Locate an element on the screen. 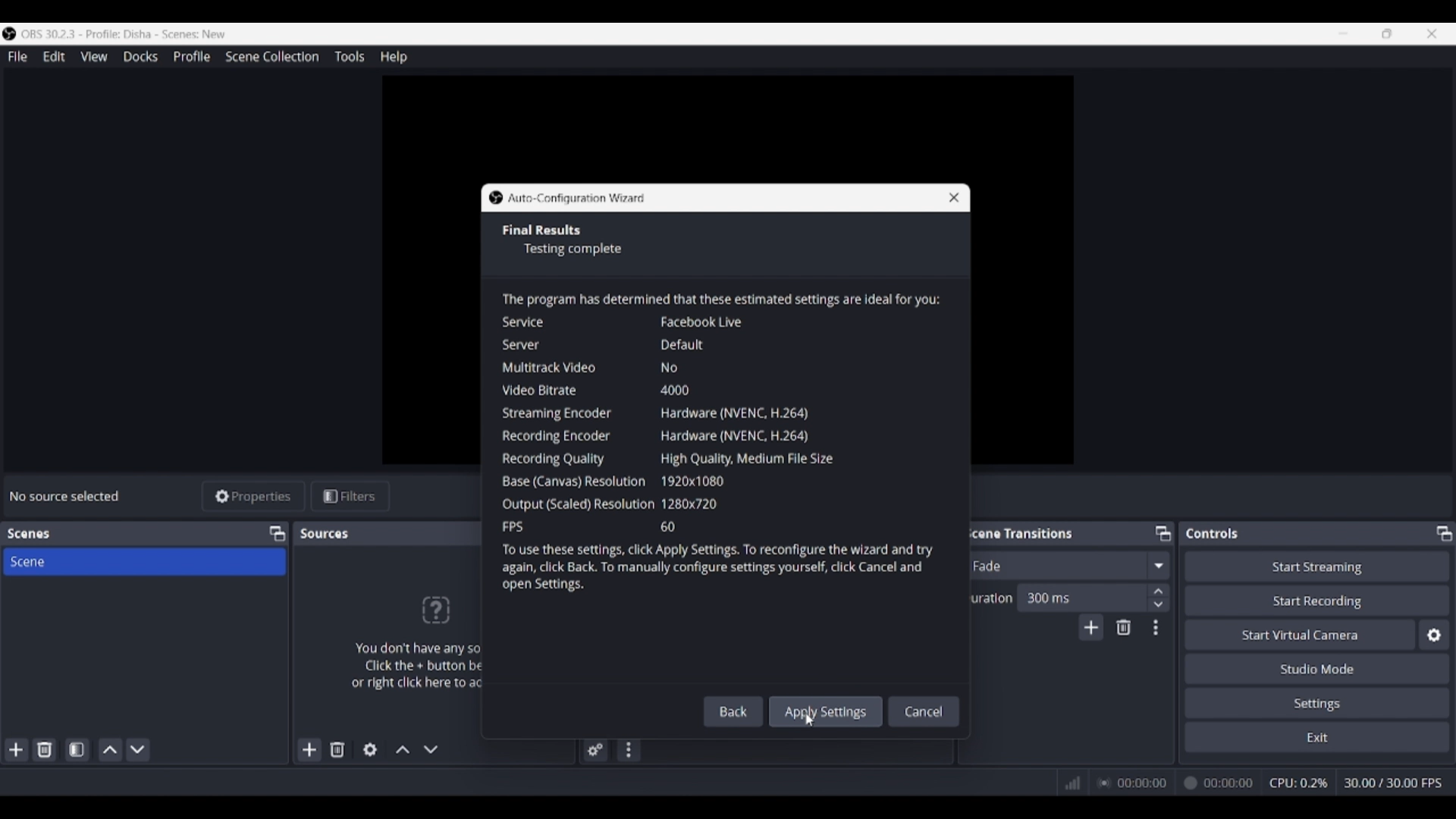 The image size is (1456, 819). Profile menu, highlighted by cursor is located at coordinates (192, 57).